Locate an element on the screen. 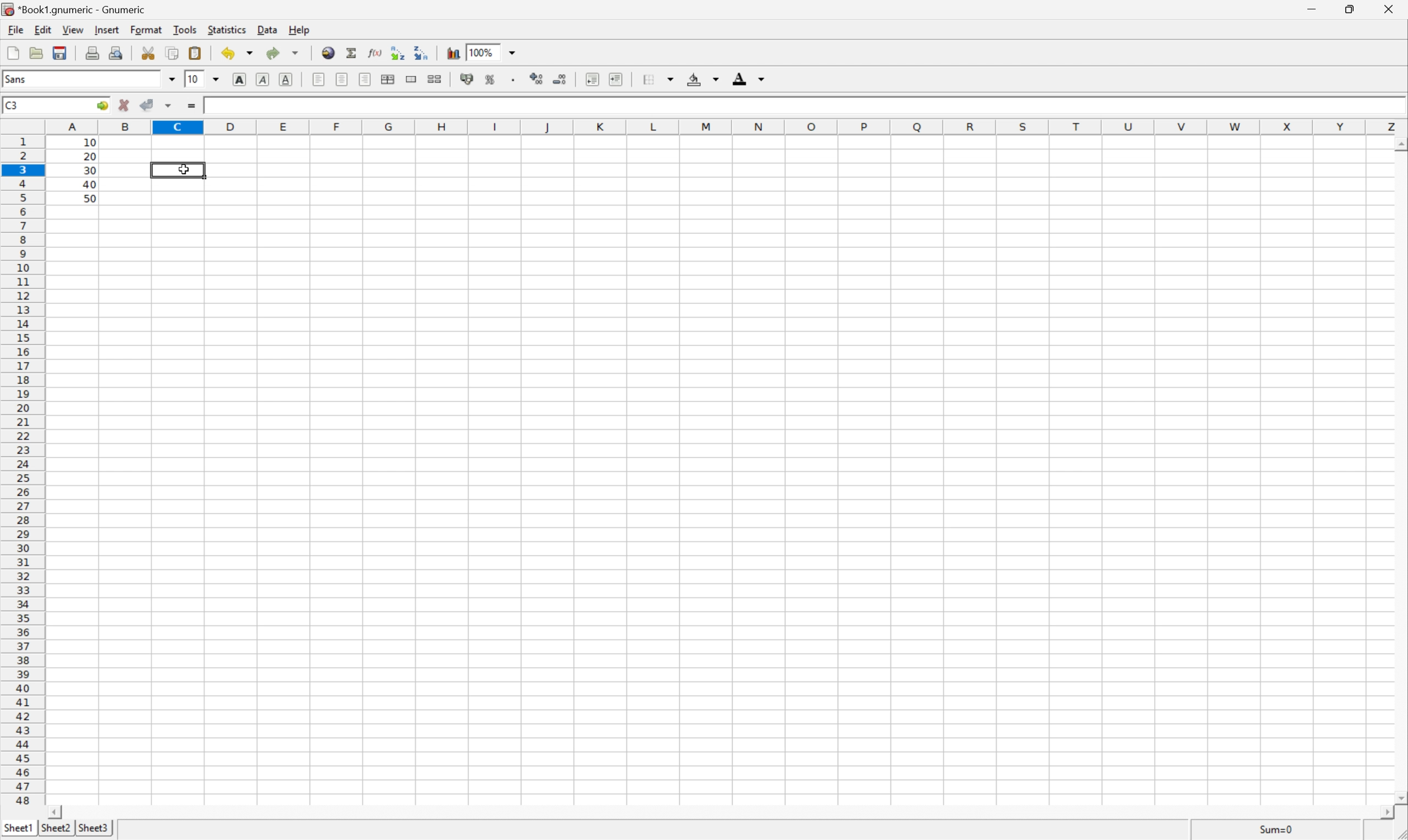 Image resolution: width=1408 pixels, height=840 pixels. Format the selection as accounting is located at coordinates (467, 77).